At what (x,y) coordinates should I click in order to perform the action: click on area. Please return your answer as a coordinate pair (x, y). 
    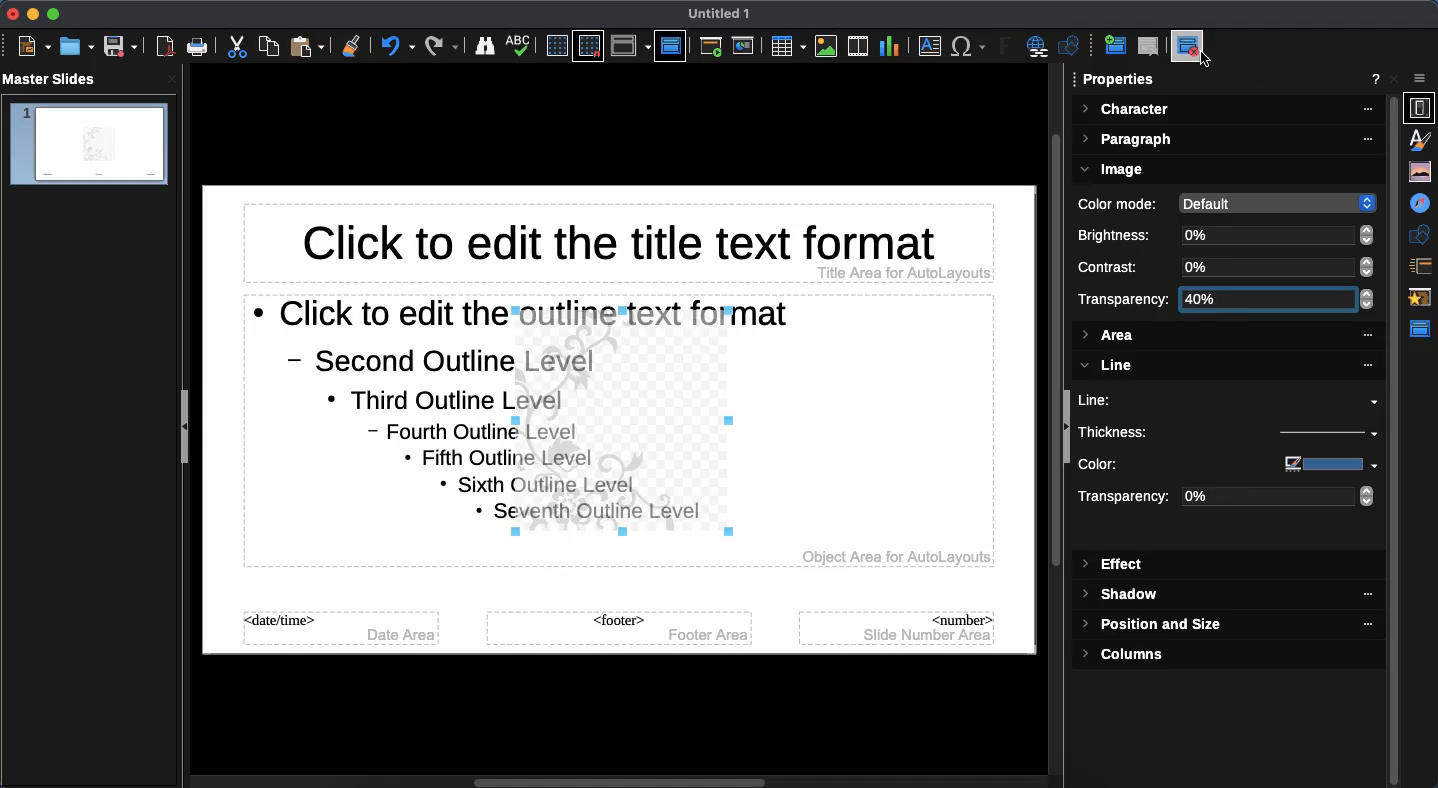
    Looking at the image, I should click on (1226, 339).